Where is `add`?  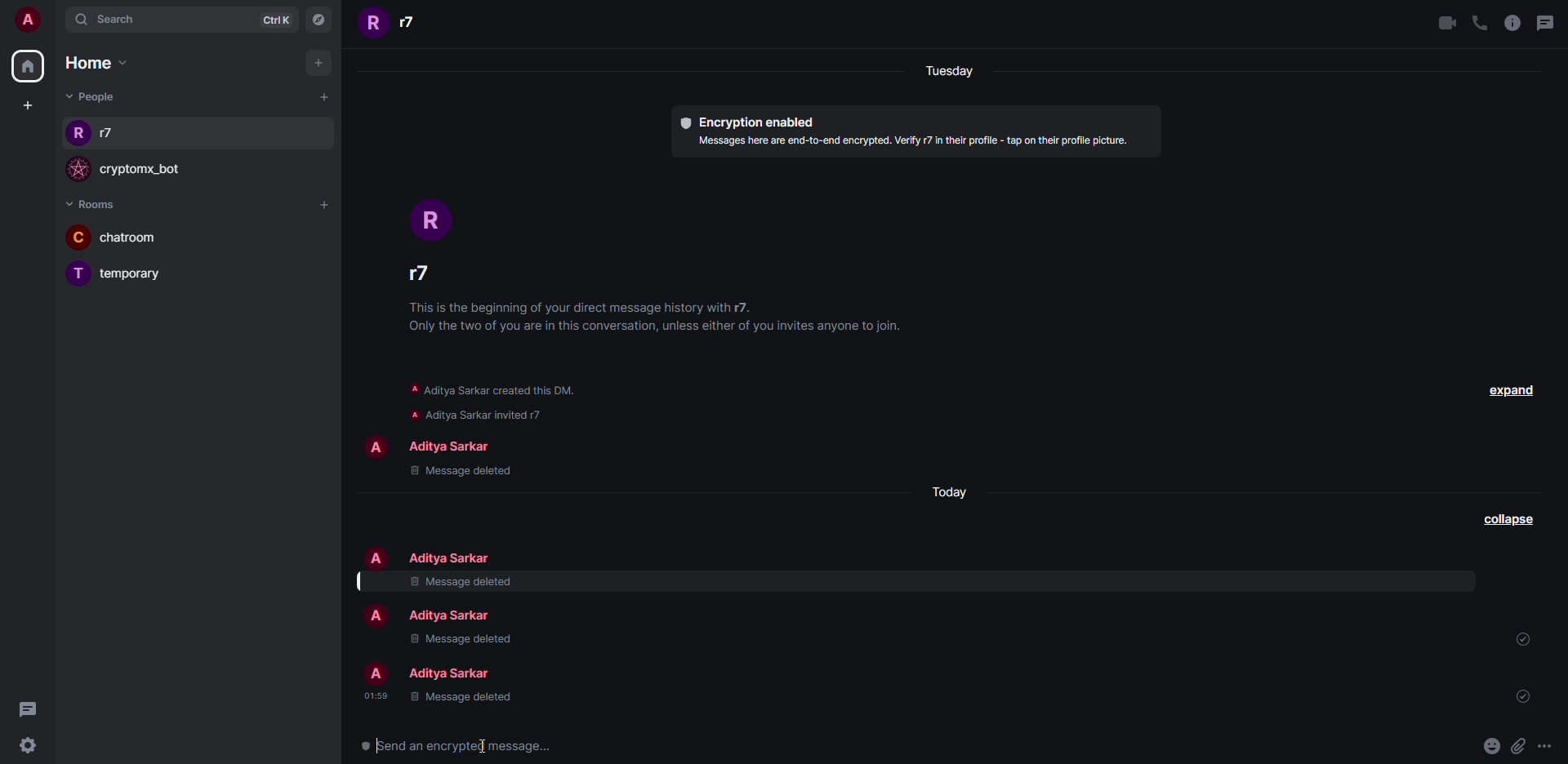
add is located at coordinates (323, 98).